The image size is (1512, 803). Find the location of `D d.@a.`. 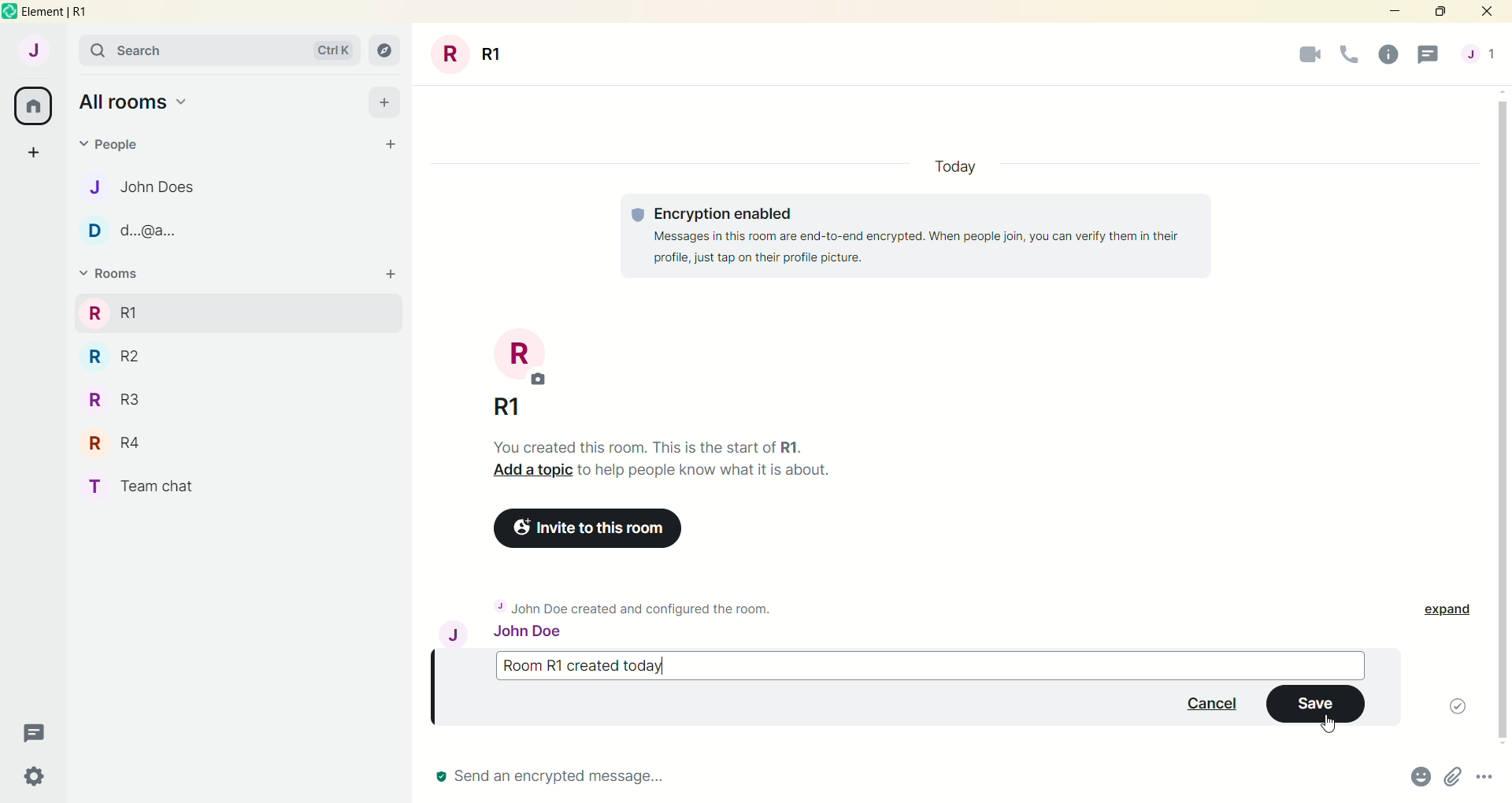

D d.@a. is located at coordinates (133, 231).